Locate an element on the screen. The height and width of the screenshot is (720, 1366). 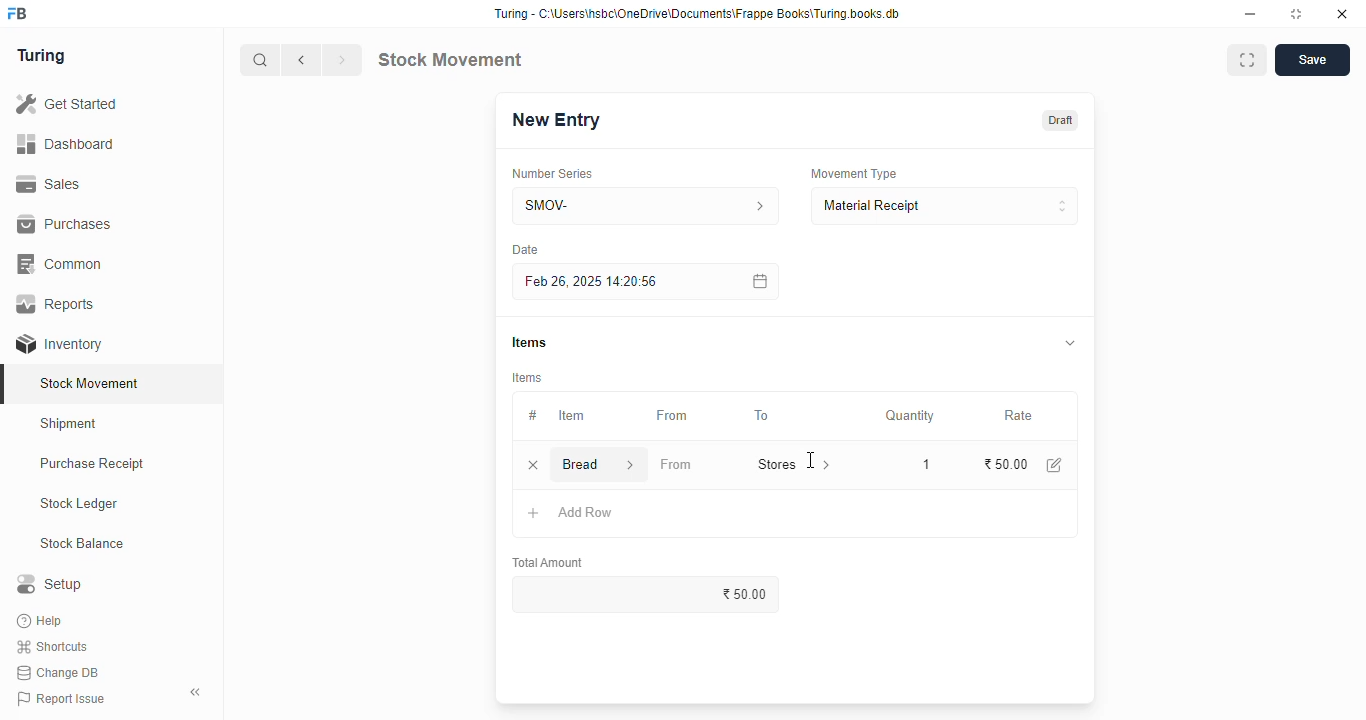
previous is located at coordinates (302, 60).